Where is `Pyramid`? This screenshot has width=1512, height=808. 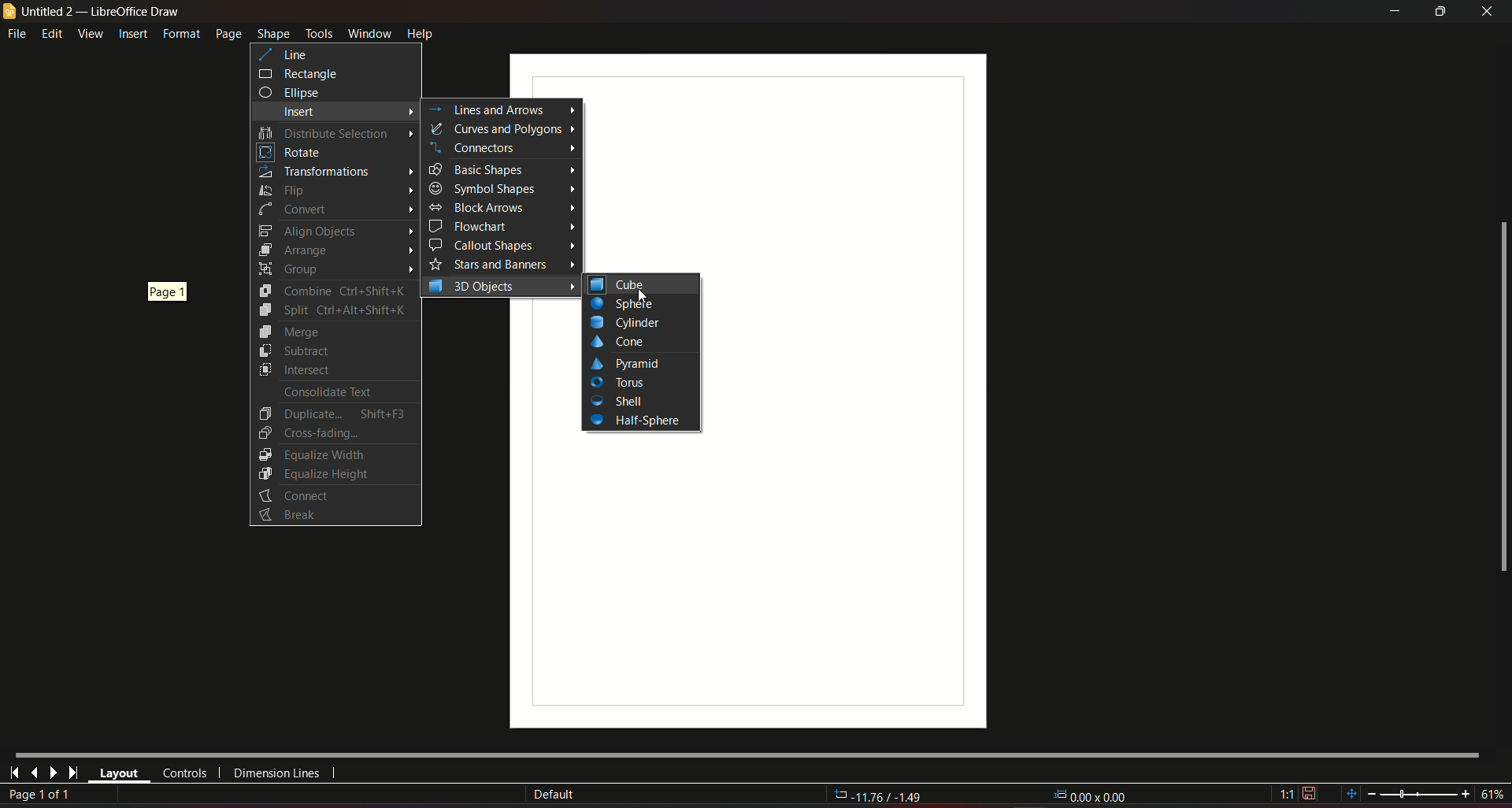 Pyramid is located at coordinates (627, 364).